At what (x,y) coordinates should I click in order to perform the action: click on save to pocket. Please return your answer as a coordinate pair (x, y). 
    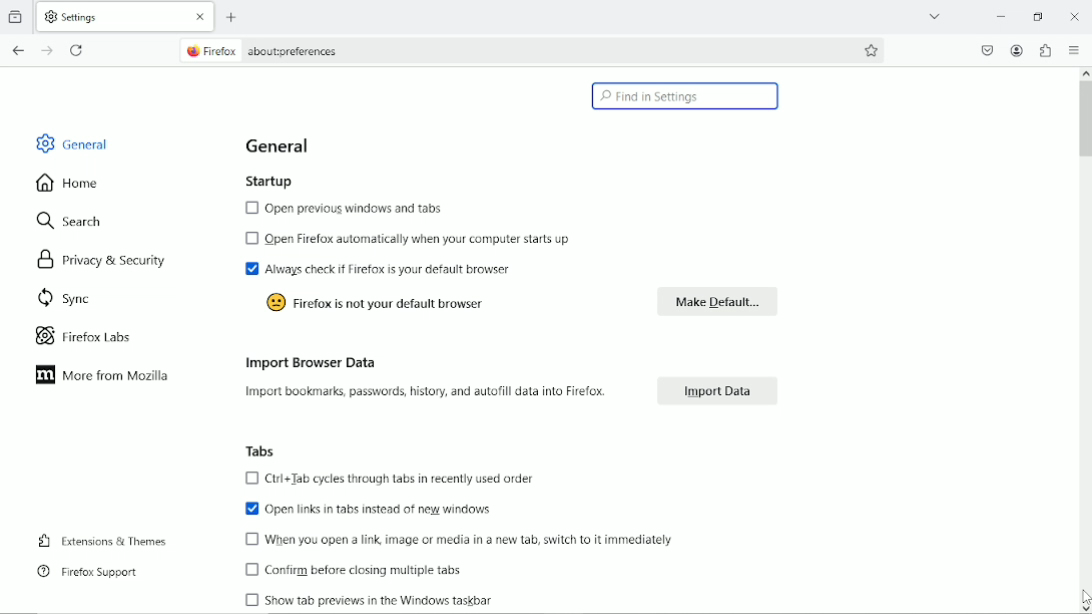
    Looking at the image, I should click on (985, 50).